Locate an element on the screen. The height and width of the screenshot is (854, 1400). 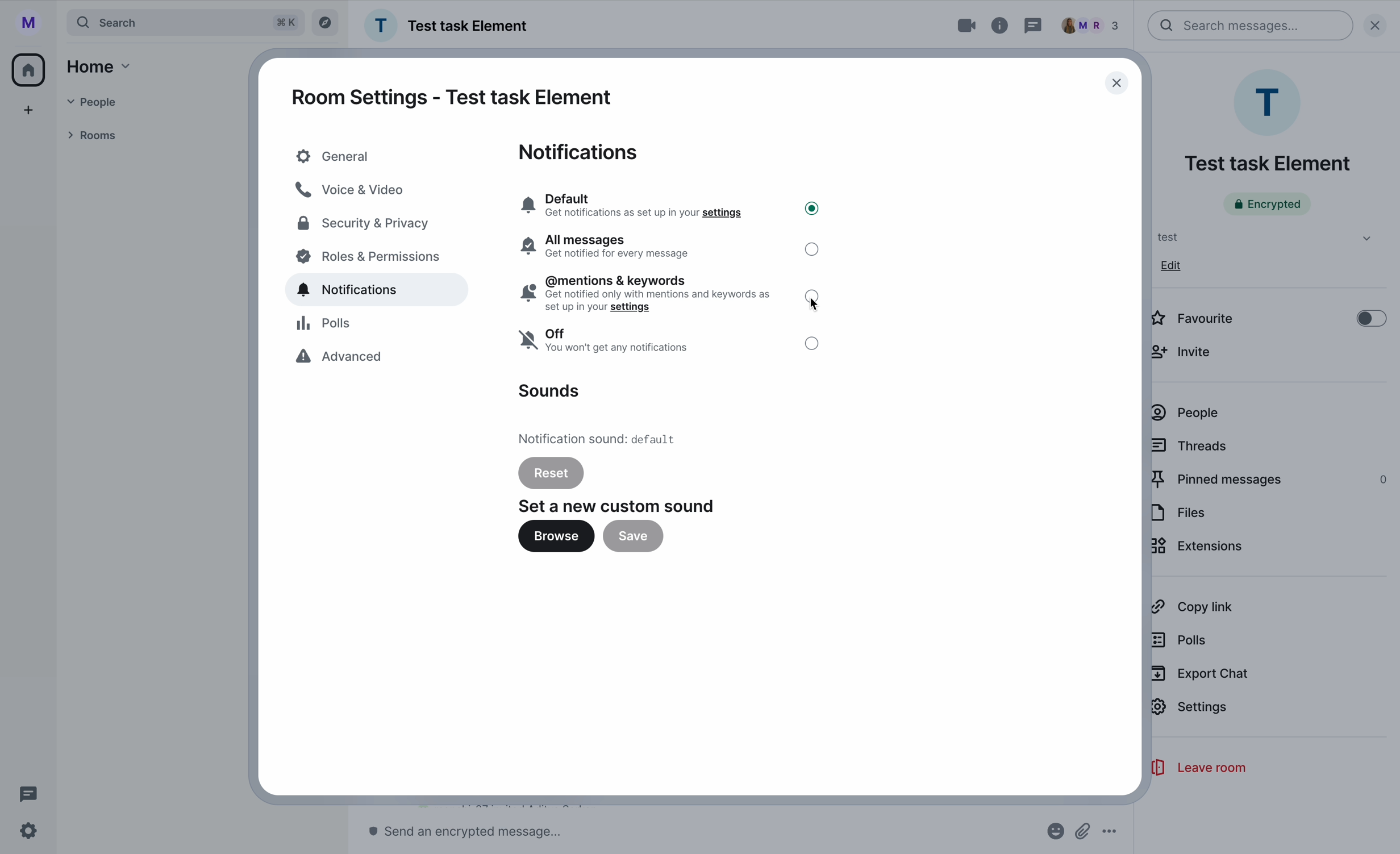
send message is located at coordinates (472, 832).